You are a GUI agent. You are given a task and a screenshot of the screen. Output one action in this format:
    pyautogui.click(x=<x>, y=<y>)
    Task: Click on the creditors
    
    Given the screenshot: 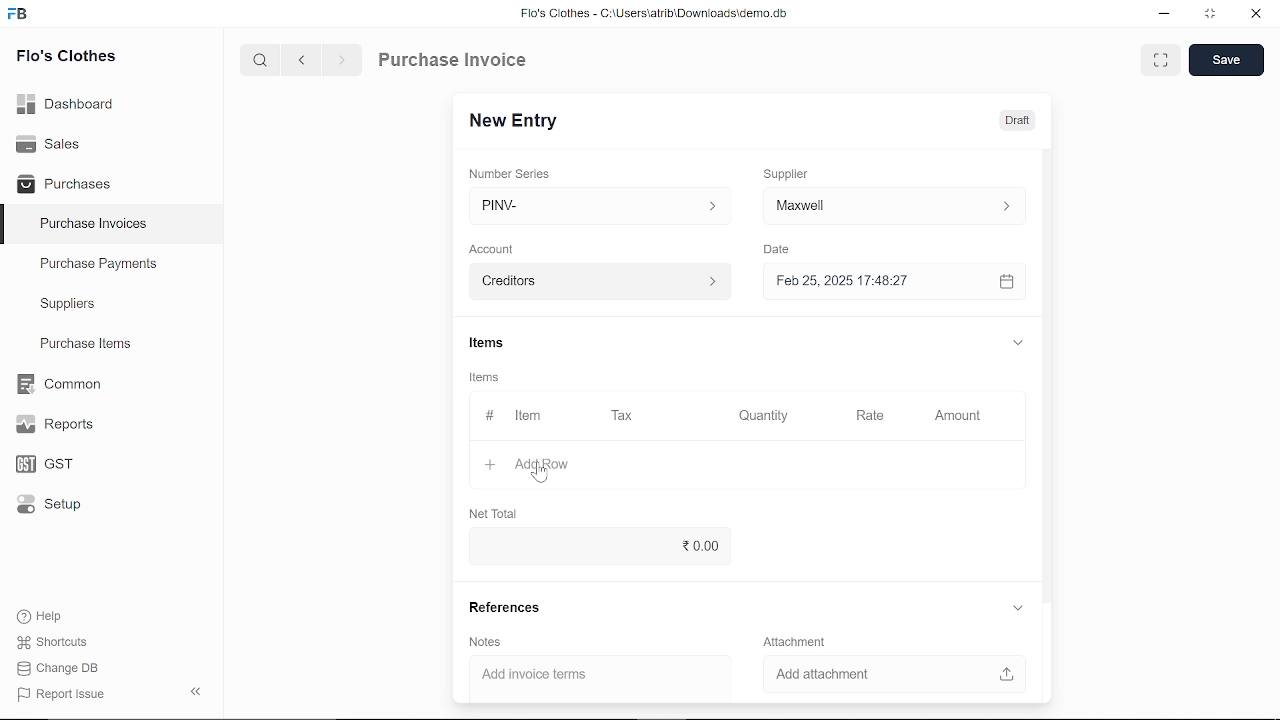 What is the action you would take?
    pyautogui.click(x=596, y=280)
    